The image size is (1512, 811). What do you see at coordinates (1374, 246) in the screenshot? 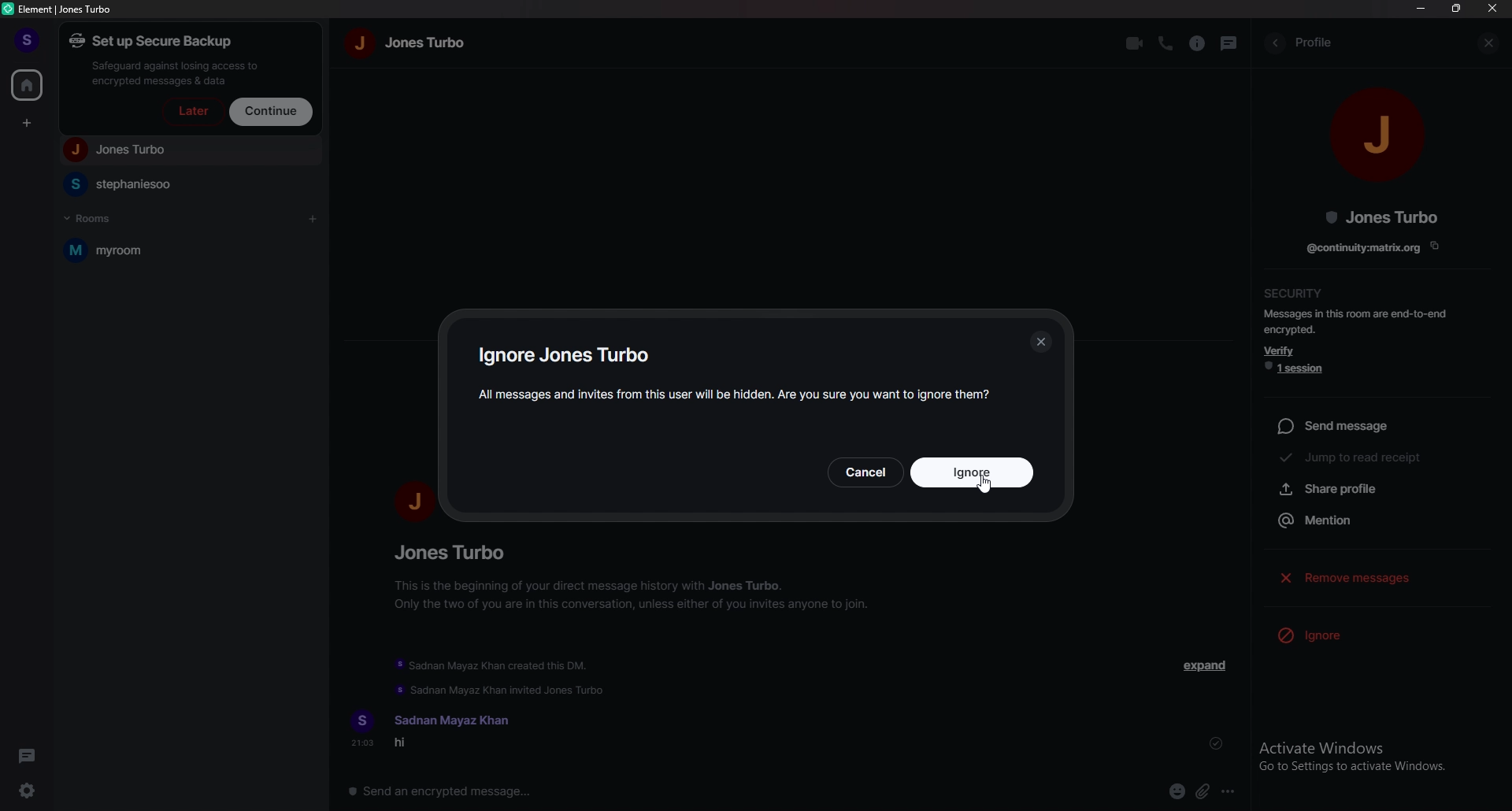
I see `copy link` at bounding box center [1374, 246].